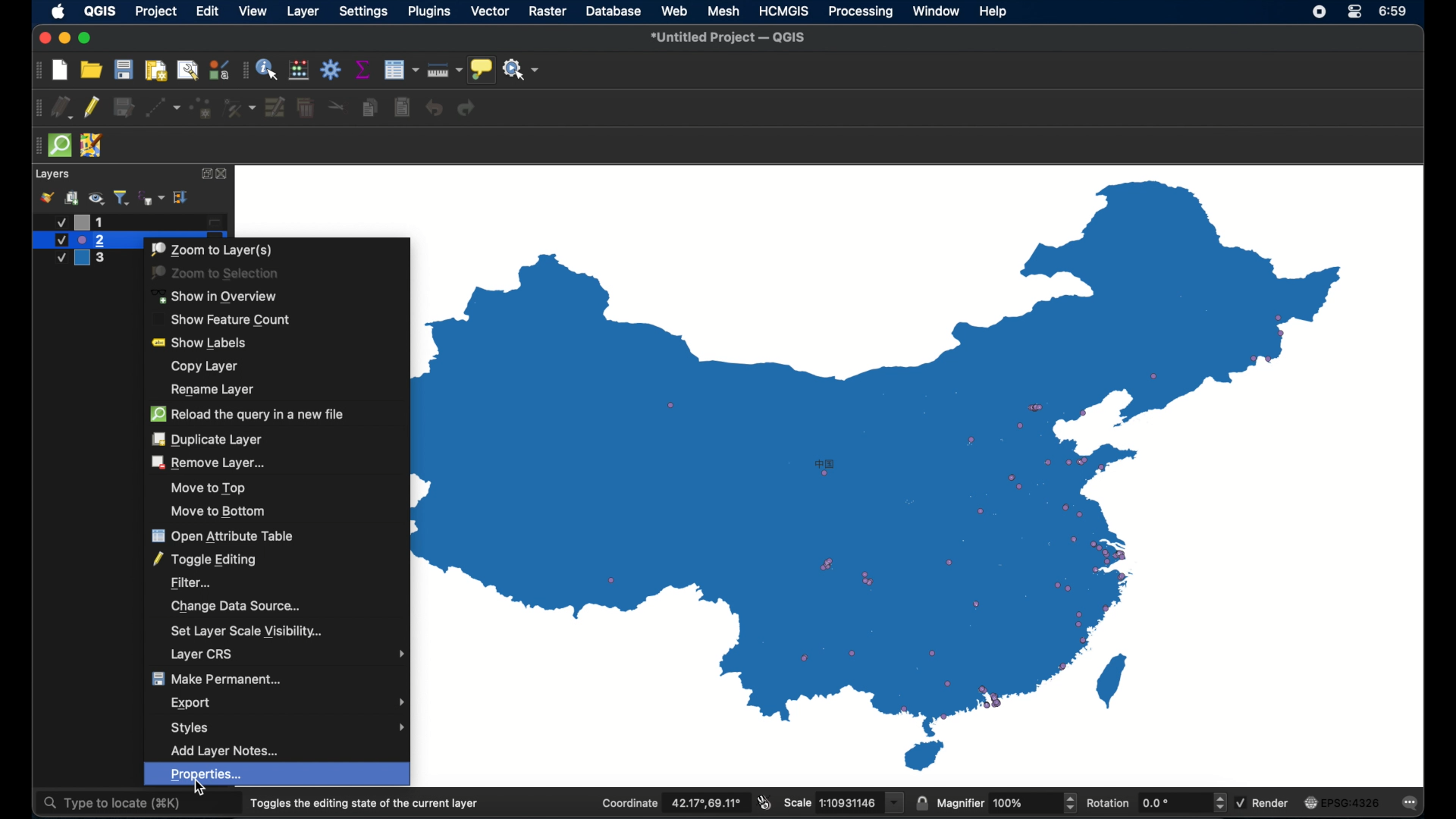 The width and height of the screenshot is (1456, 819). What do you see at coordinates (674, 11) in the screenshot?
I see `web` at bounding box center [674, 11].